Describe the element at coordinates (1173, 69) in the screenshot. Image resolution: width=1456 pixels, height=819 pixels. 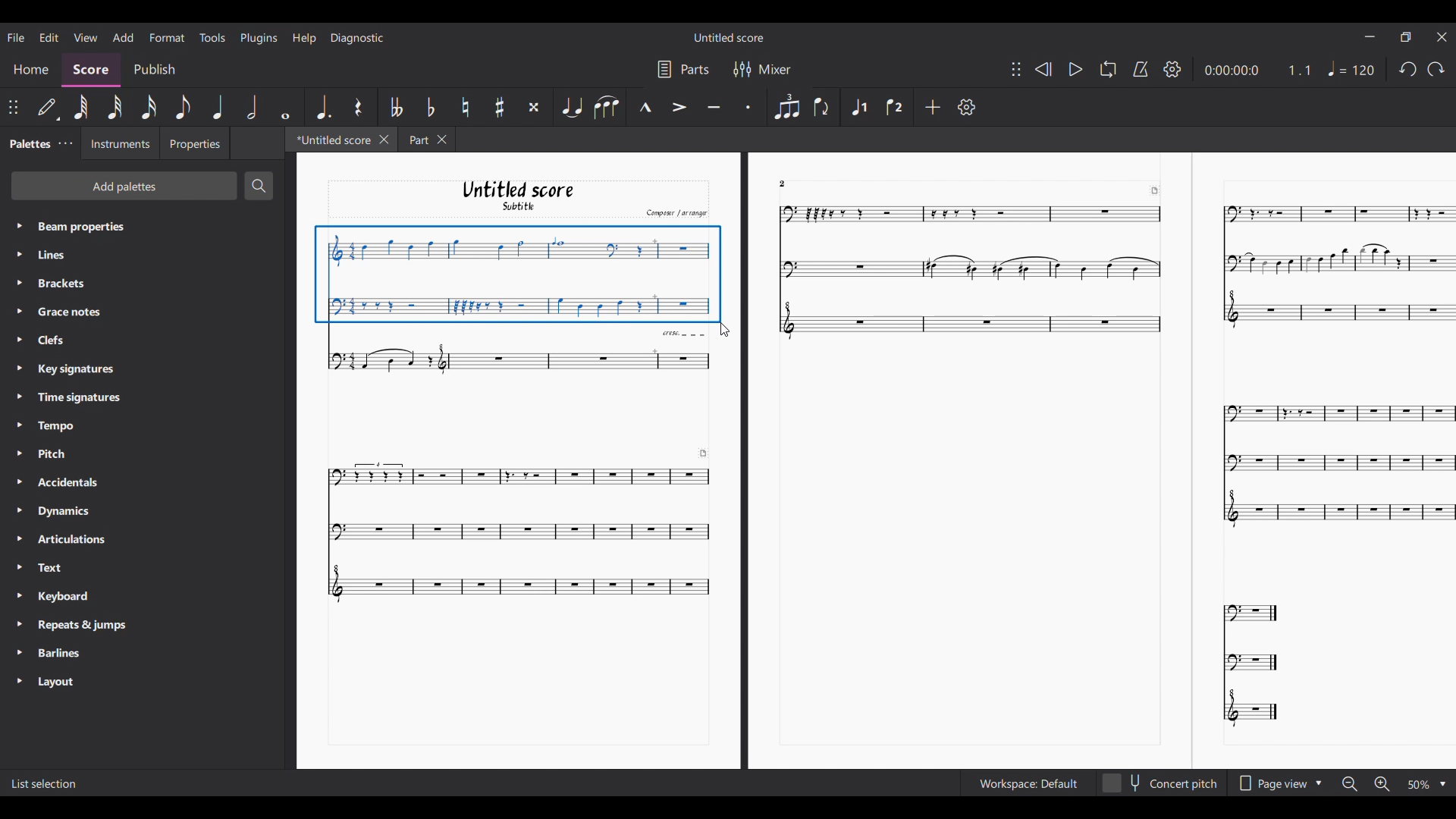
I see `Settings` at that location.